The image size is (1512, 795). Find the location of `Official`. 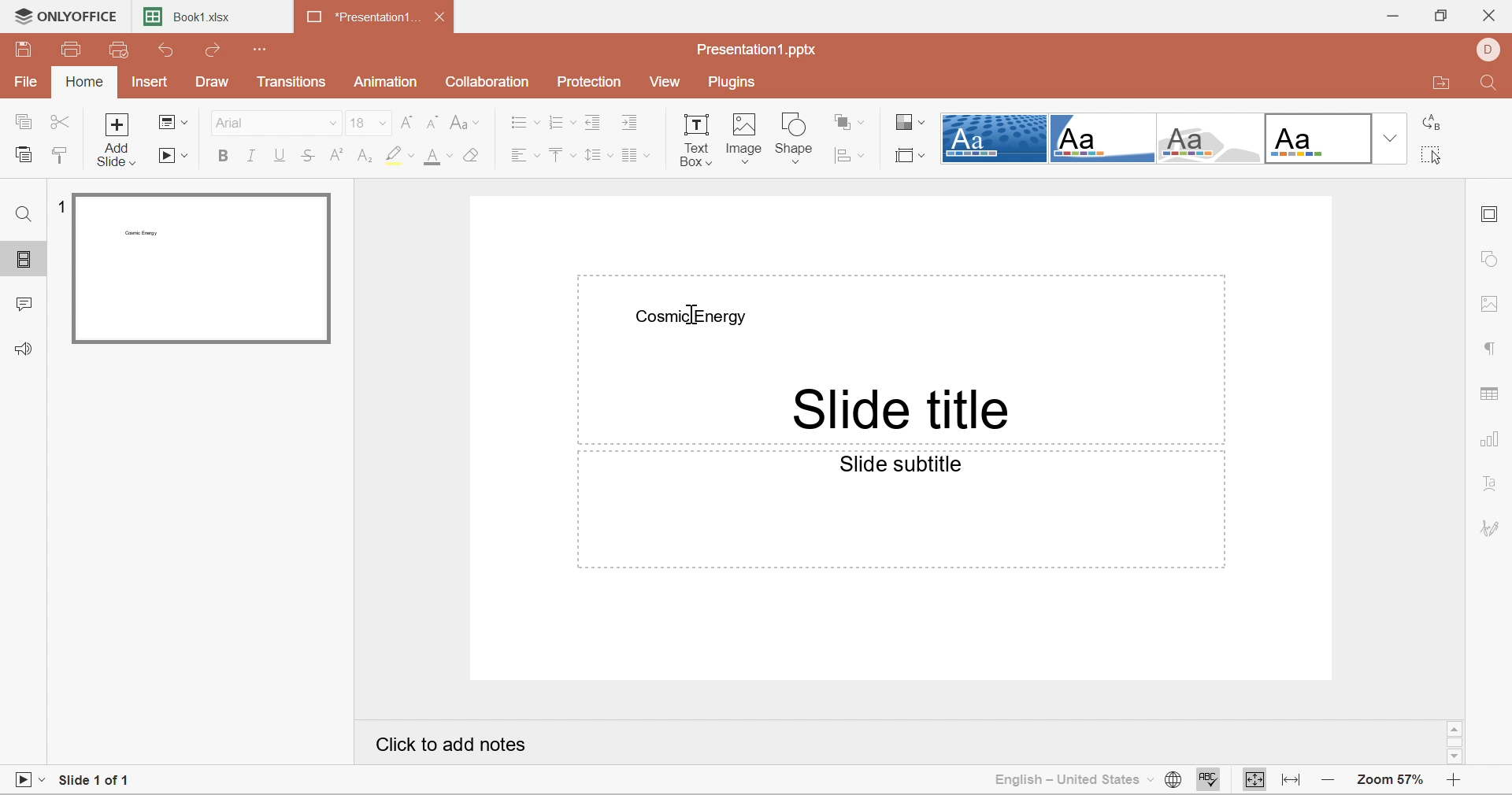

Official is located at coordinates (1321, 139).